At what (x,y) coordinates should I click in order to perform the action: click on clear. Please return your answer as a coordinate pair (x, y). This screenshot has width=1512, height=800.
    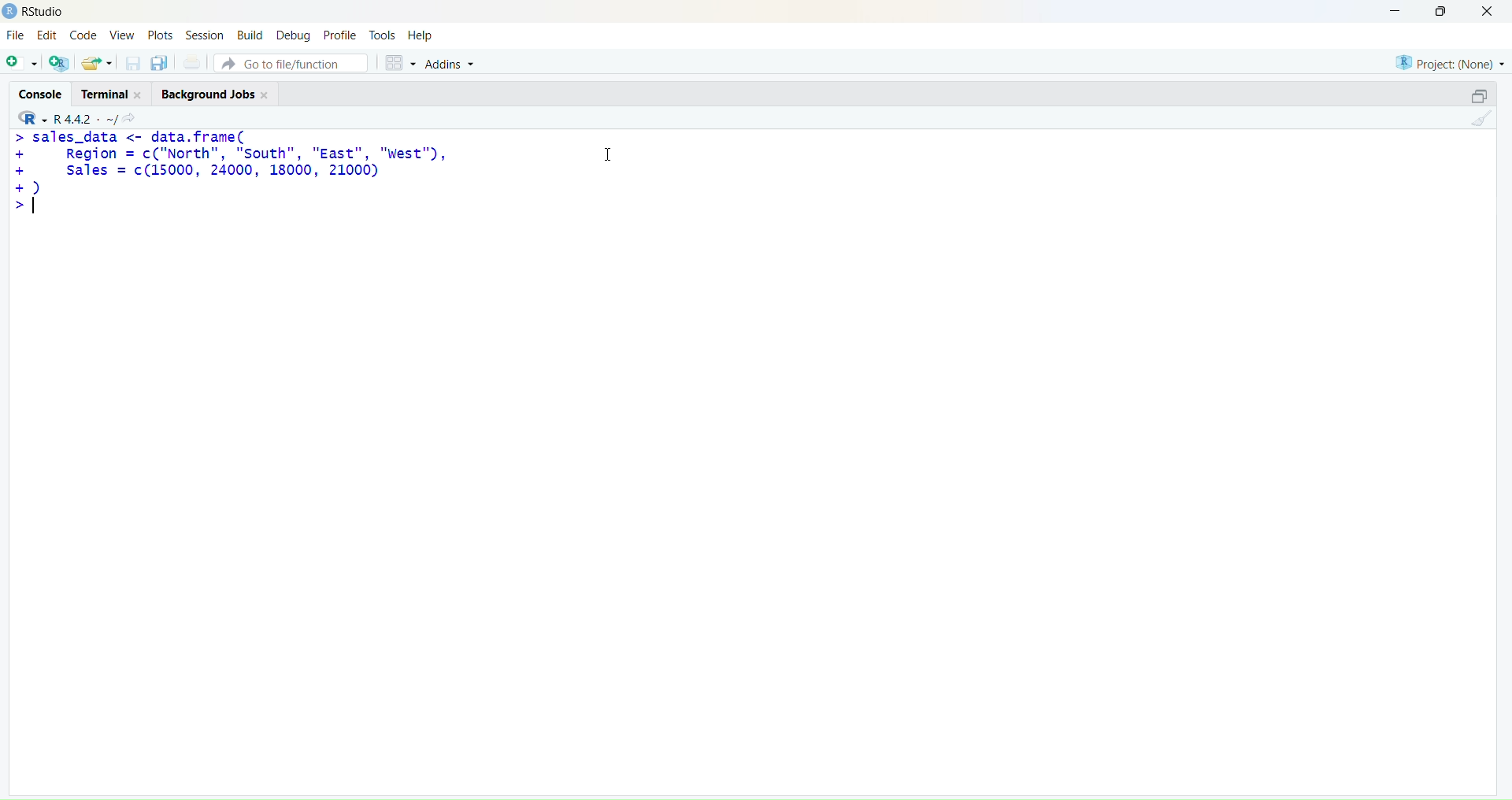
    Looking at the image, I should click on (1485, 122).